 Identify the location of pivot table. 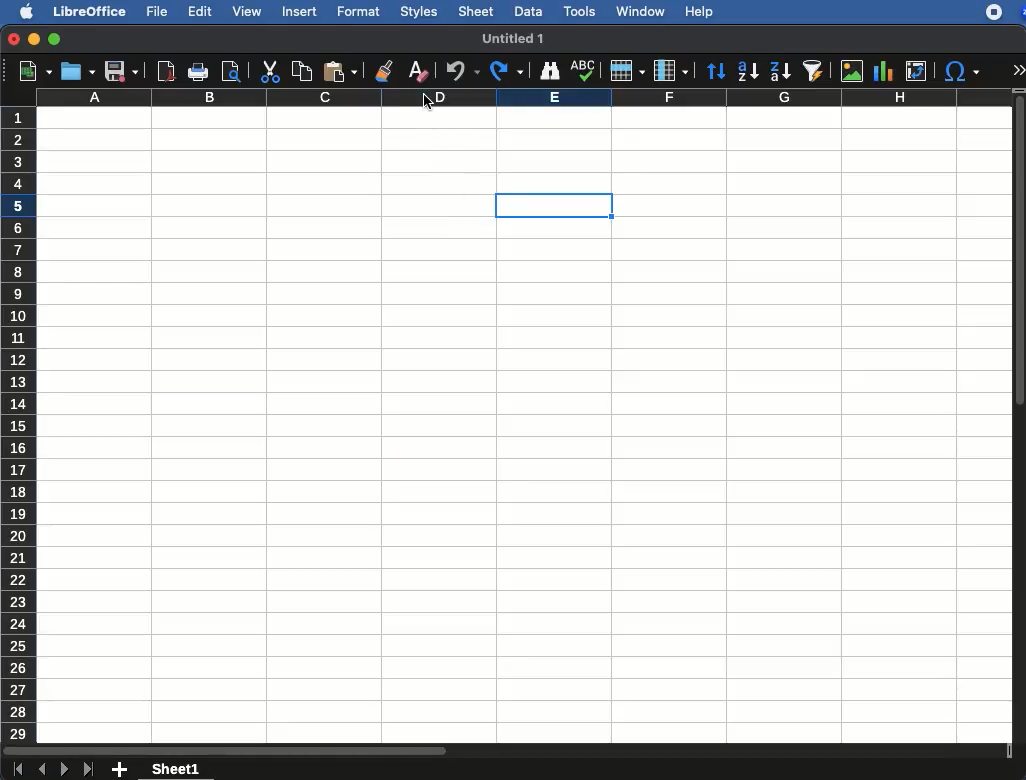
(916, 71).